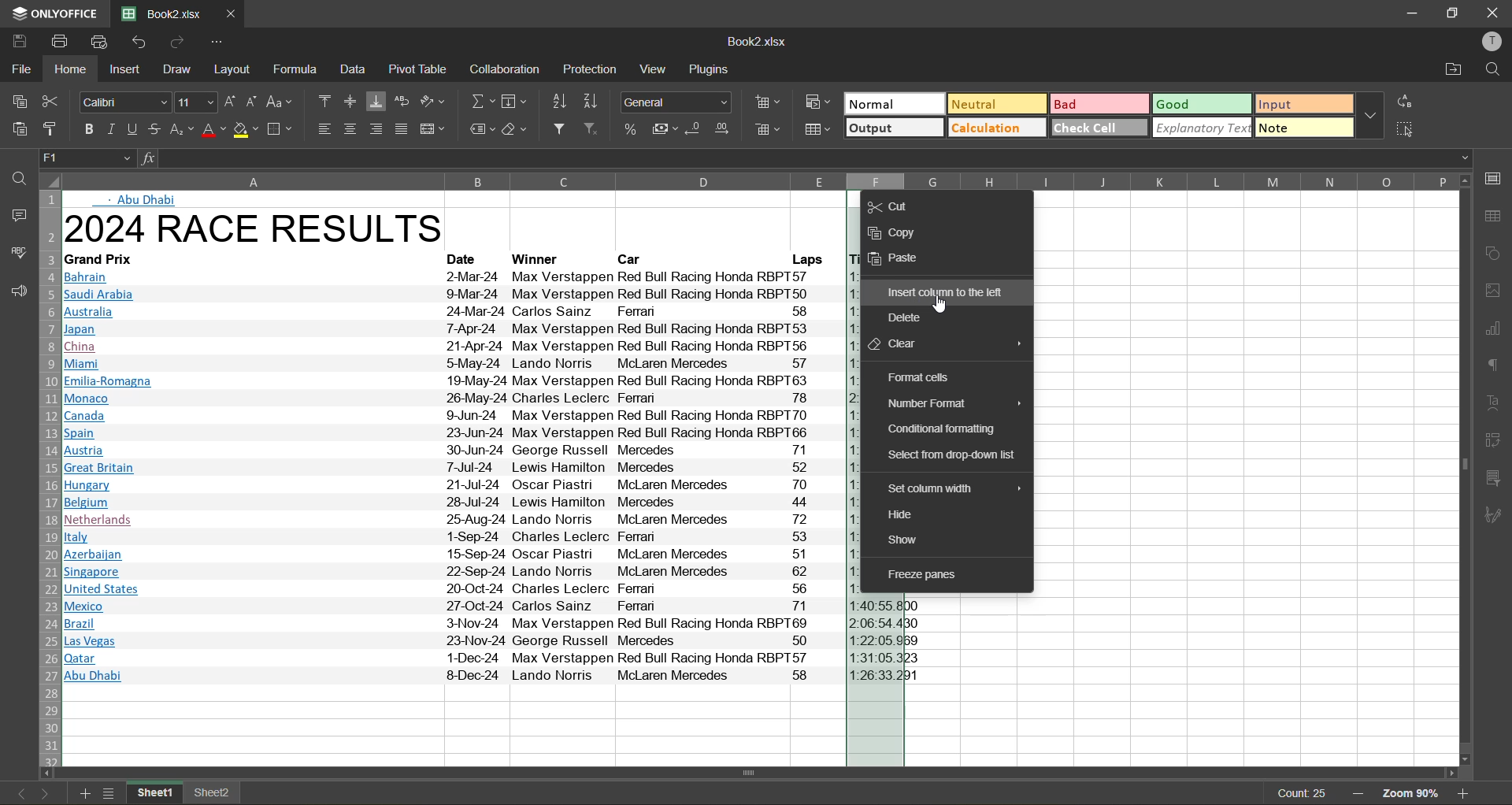 The image size is (1512, 805). I want to click on explanatory text, so click(1204, 128).